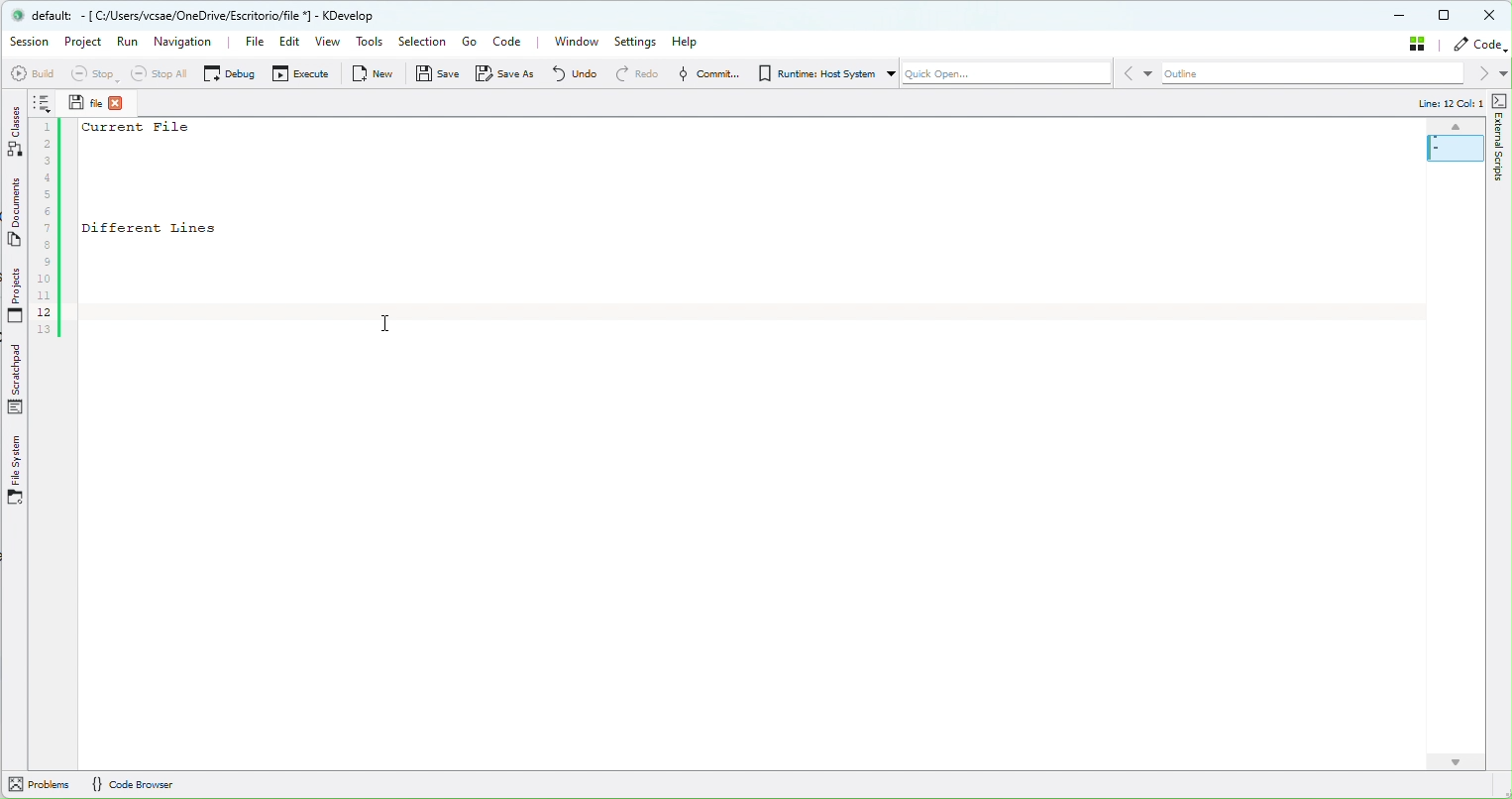  What do you see at coordinates (10, 212) in the screenshot?
I see `Documents` at bounding box center [10, 212].